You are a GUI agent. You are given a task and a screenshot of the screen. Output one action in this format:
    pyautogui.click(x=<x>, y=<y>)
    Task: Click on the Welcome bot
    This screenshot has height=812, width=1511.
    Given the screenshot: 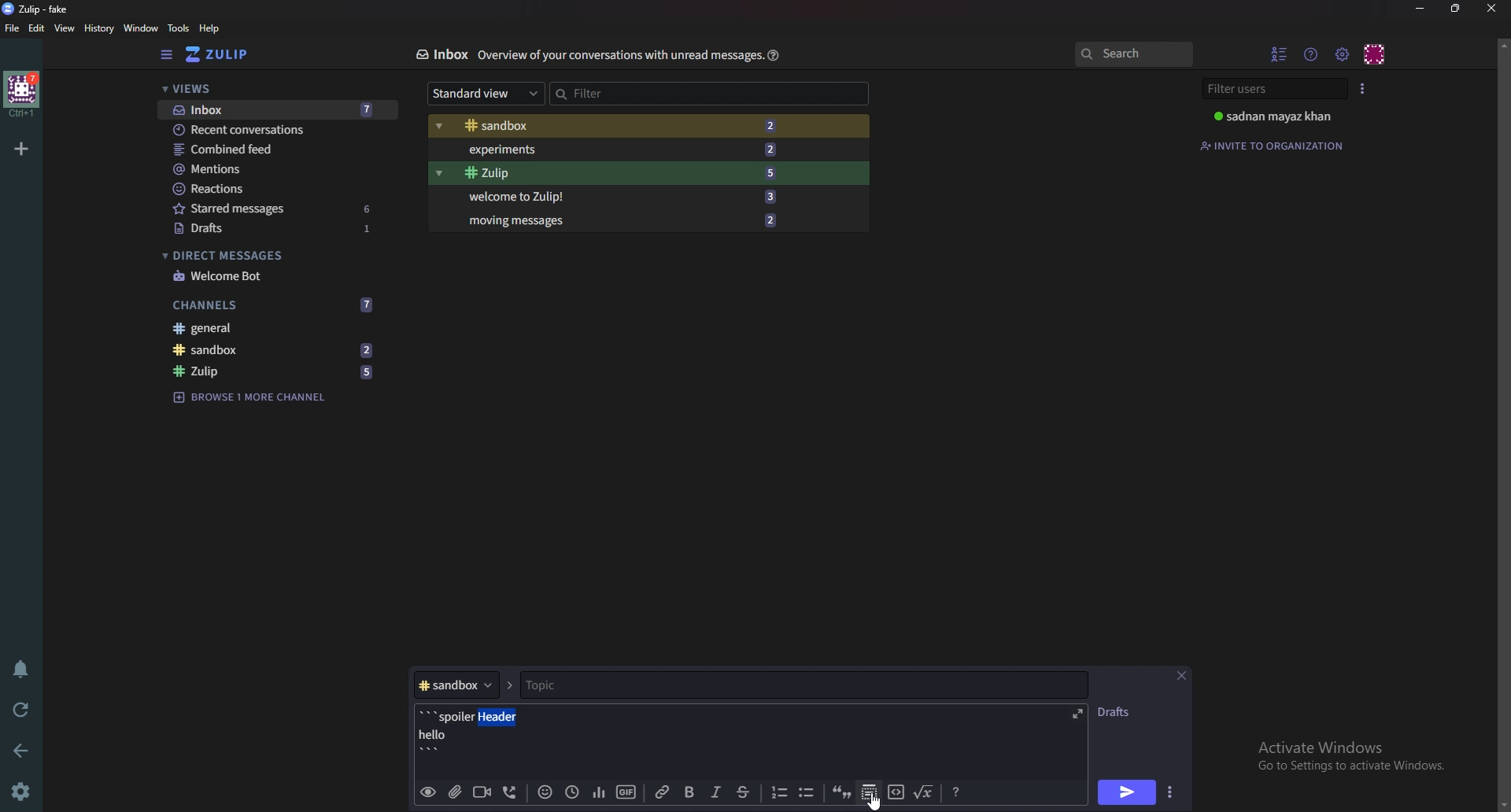 What is the action you would take?
    pyautogui.click(x=272, y=277)
    